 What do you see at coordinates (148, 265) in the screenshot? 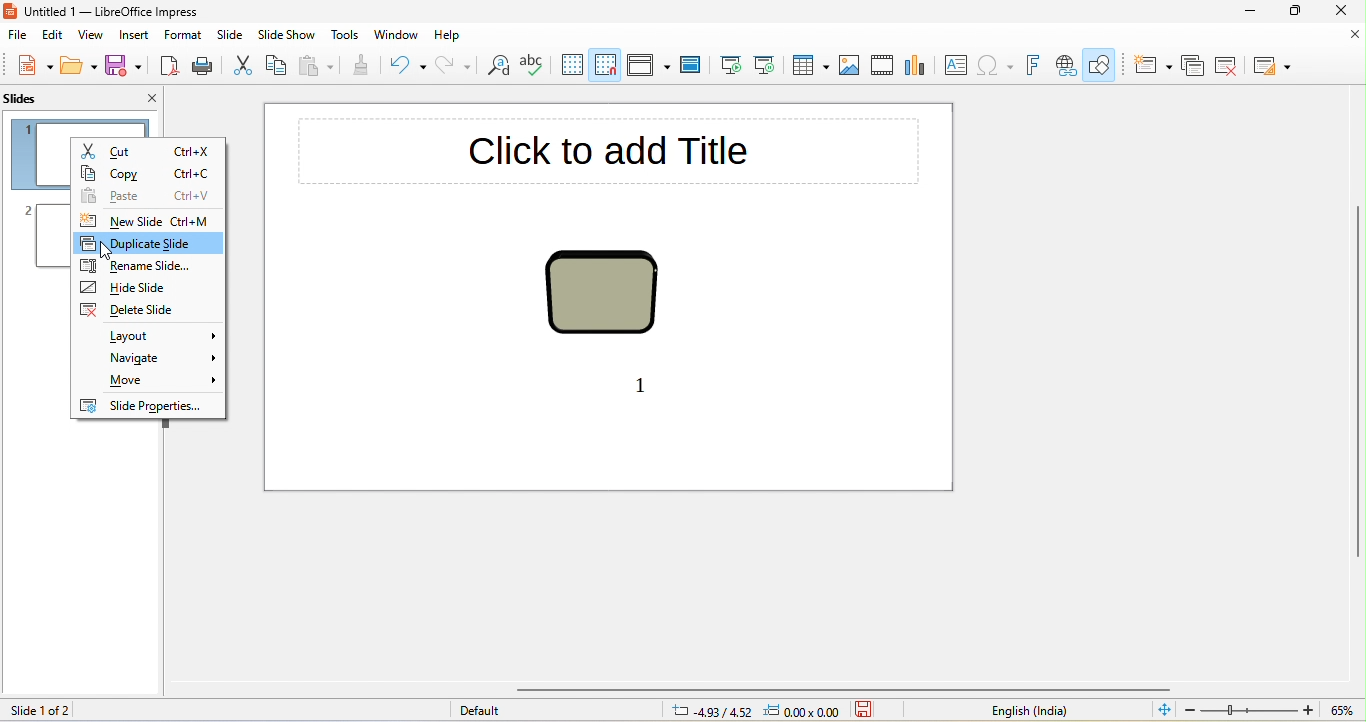
I see `rename slide` at bounding box center [148, 265].